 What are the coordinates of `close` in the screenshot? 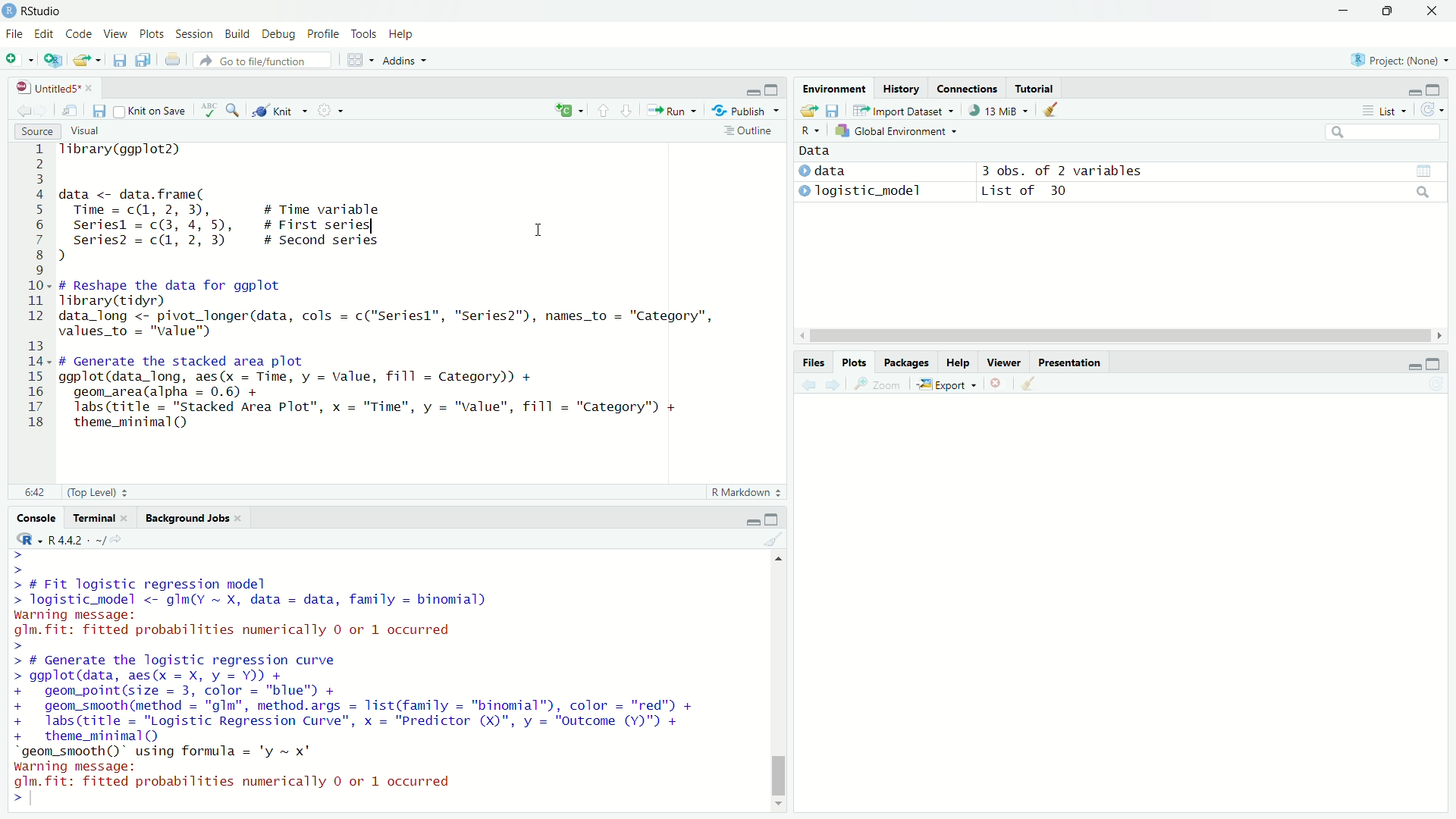 It's located at (1435, 10).